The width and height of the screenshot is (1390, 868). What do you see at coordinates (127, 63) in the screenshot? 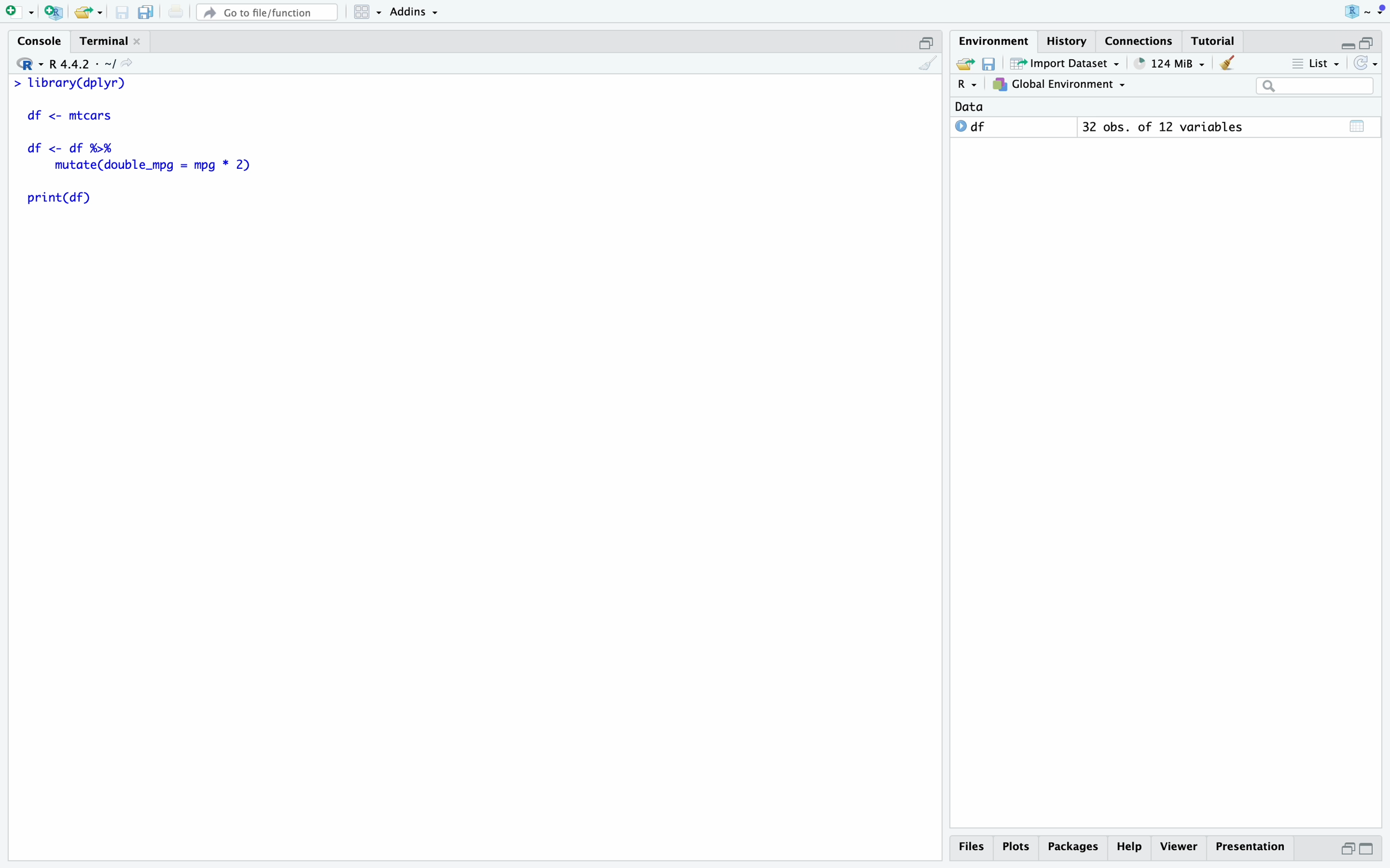
I see `share icon` at bounding box center [127, 63].